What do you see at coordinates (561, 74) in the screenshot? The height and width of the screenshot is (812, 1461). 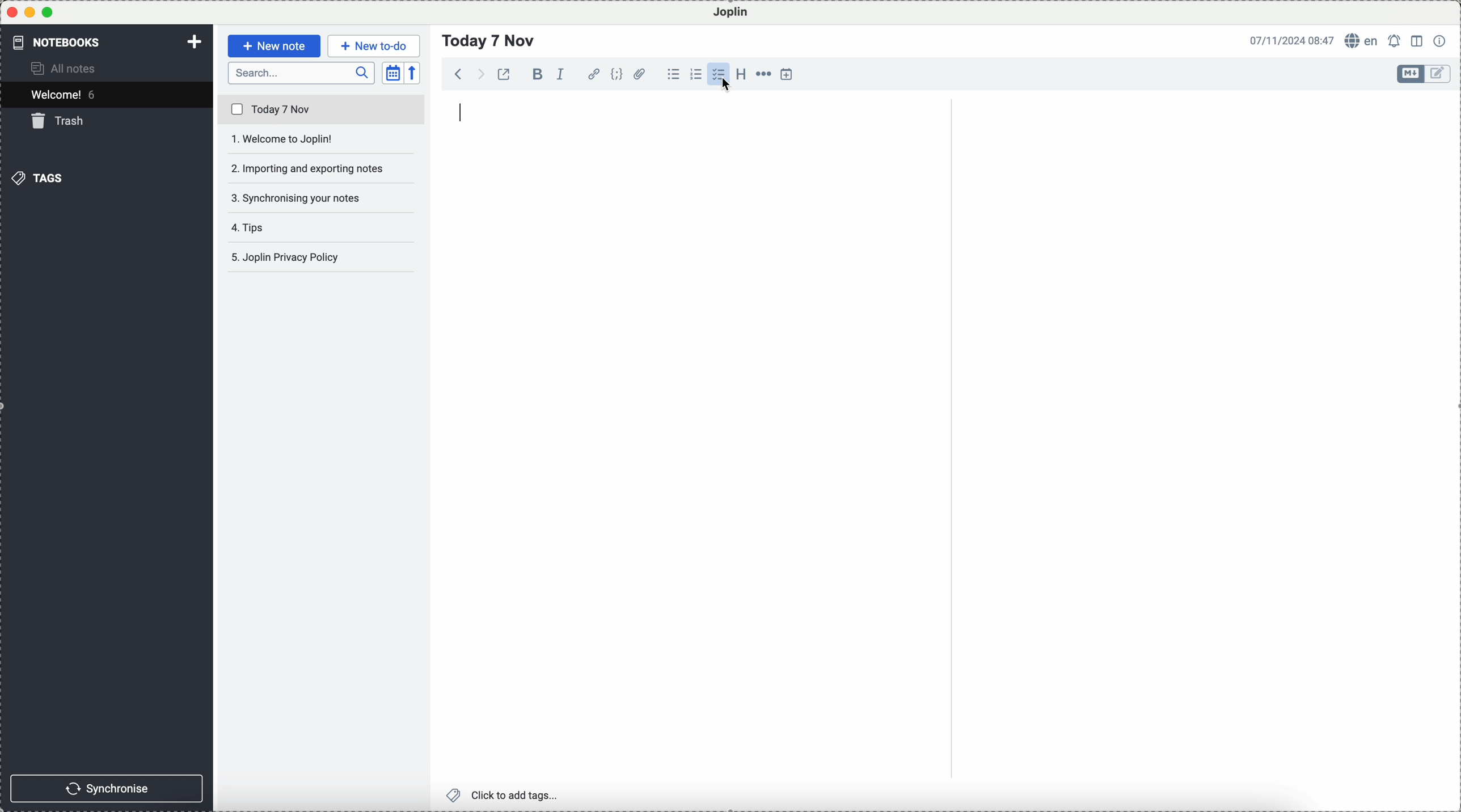 I see `italic` at bounding box center [561, 74].